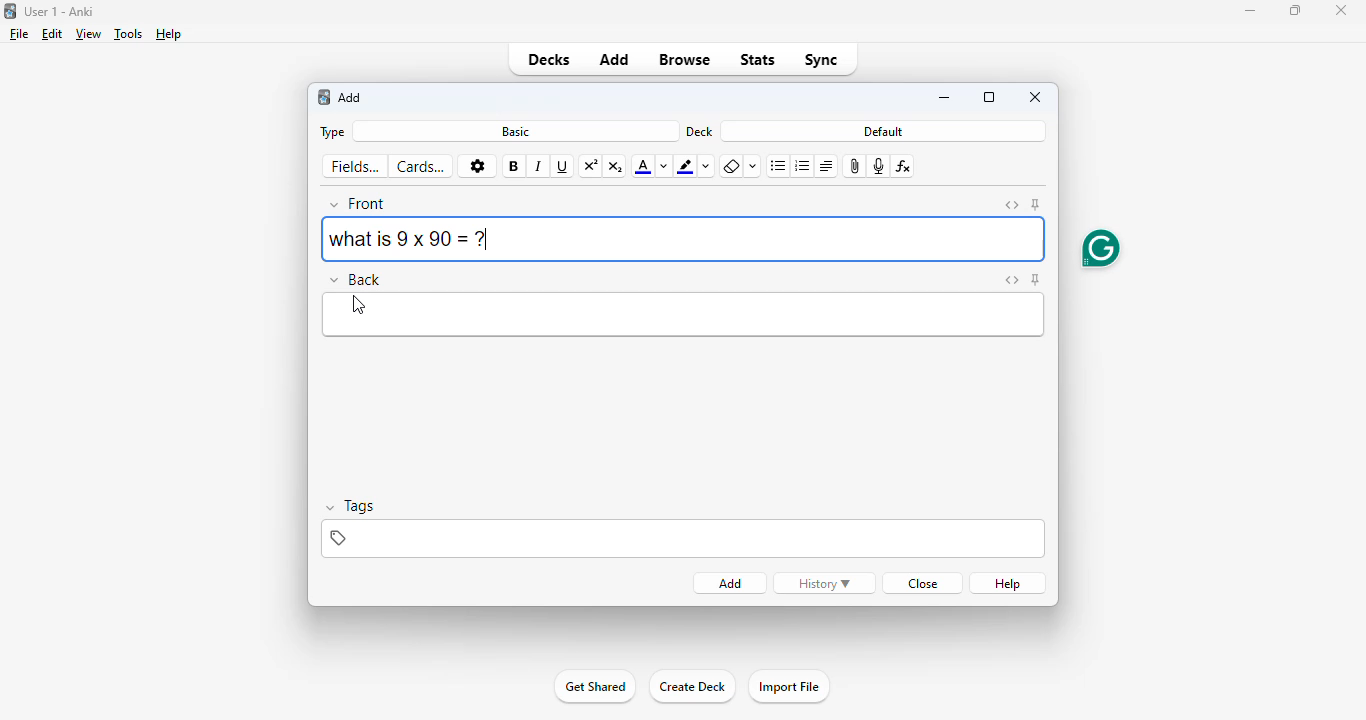 The width and height of the screenshot is (1366, 720). Describe the element at coordinates (1100, 248) in the screenshot. I see `grammarly extension` at that location.